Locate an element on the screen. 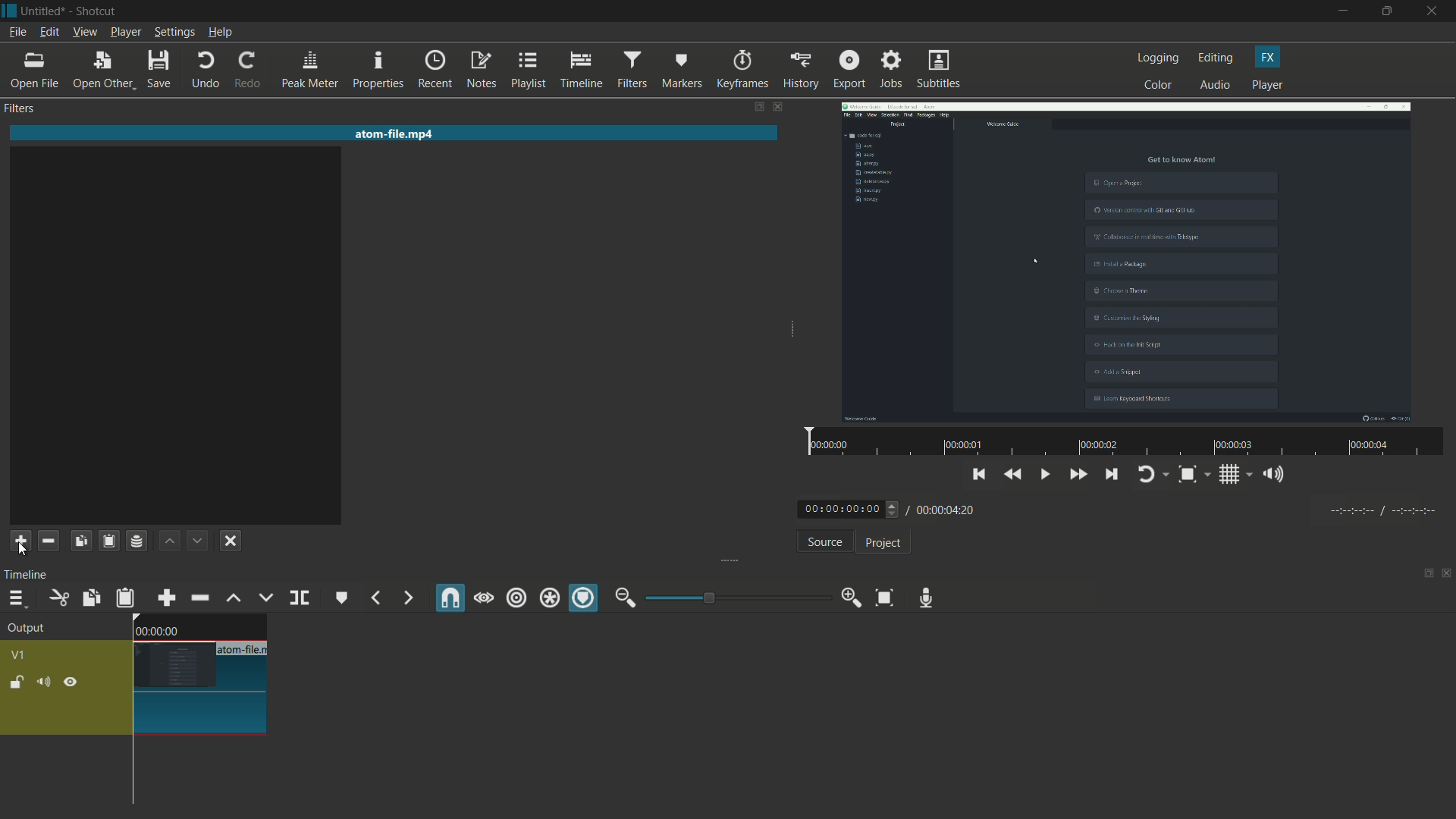 The height and width of the screenshot is (819, 1456). keyframes is located at coordinates (742, 70).